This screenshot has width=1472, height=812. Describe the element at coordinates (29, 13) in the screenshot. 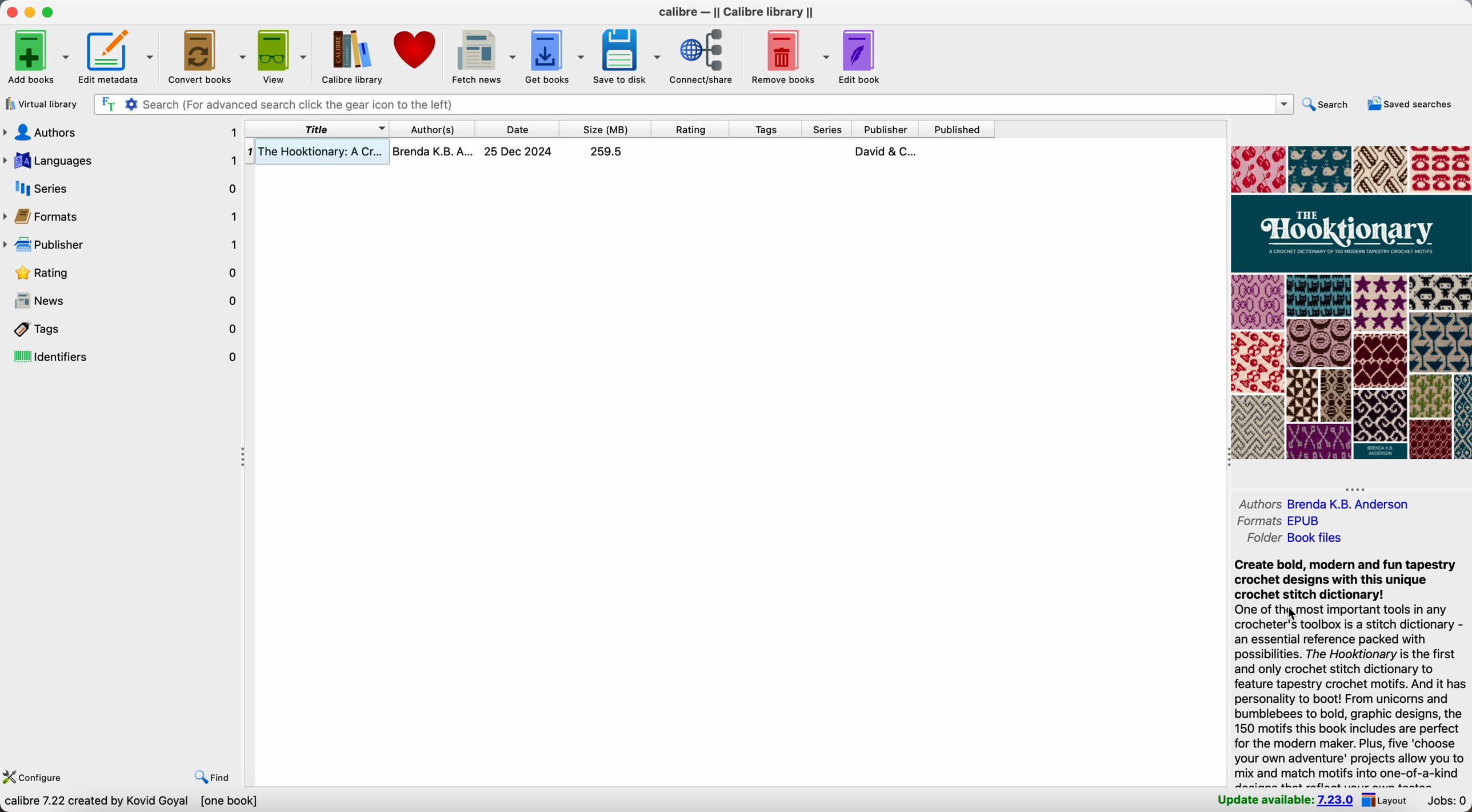

I see `minimize` at that location.